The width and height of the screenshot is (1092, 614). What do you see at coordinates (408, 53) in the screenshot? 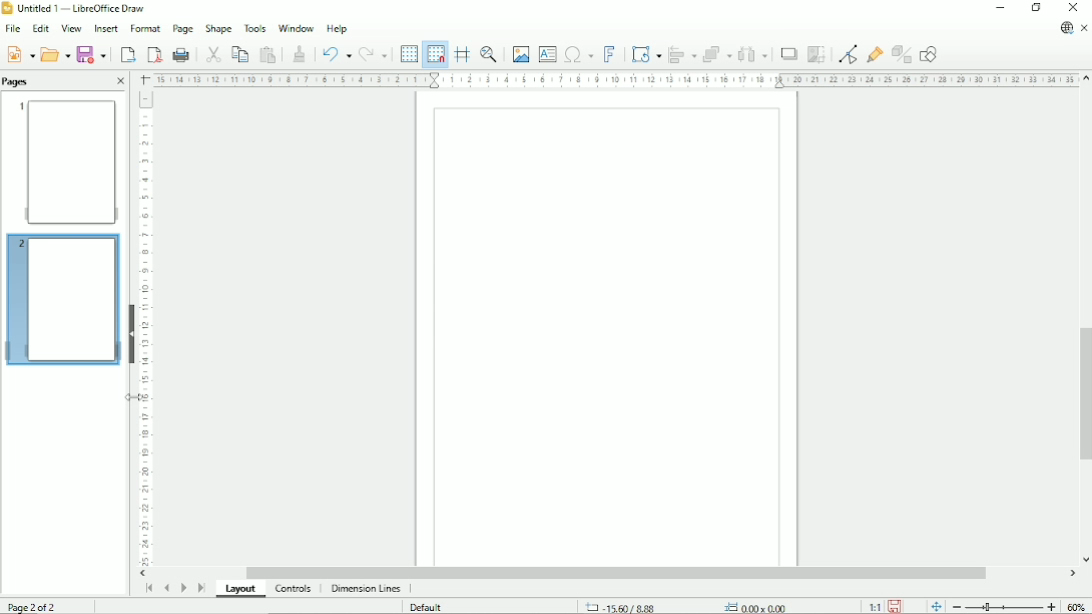
I see `Display grid` at bounding box center [408, 53].